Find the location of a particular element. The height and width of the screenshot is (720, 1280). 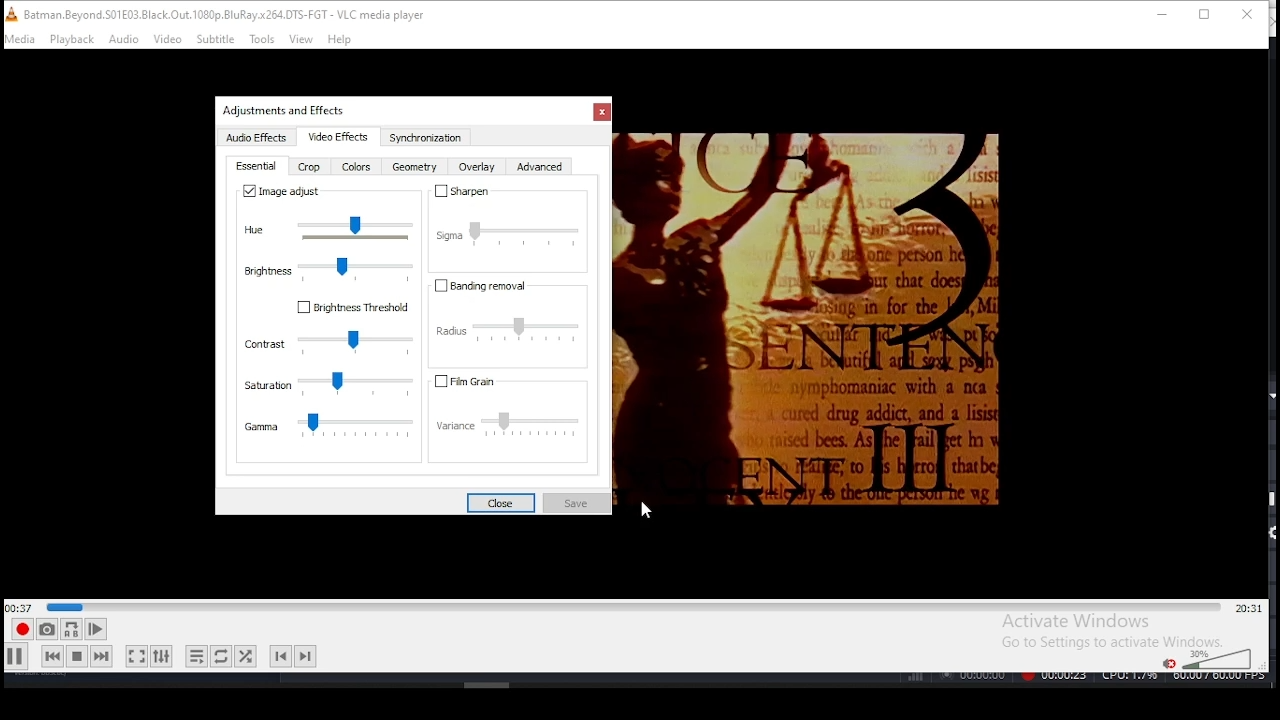

help is located at coordinates (339, 39).